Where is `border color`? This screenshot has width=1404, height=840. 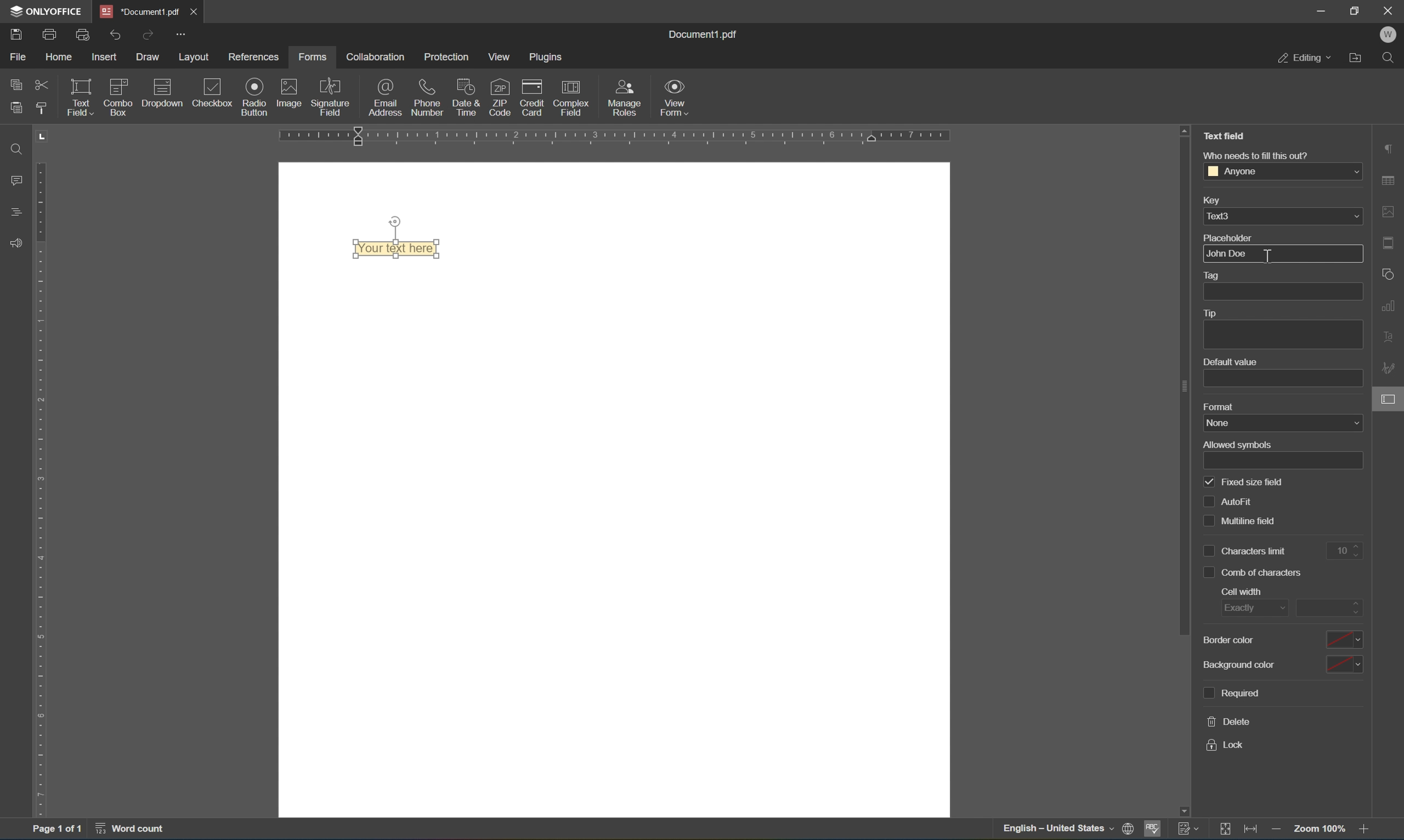 border color is located at coordinates (1281, 640).